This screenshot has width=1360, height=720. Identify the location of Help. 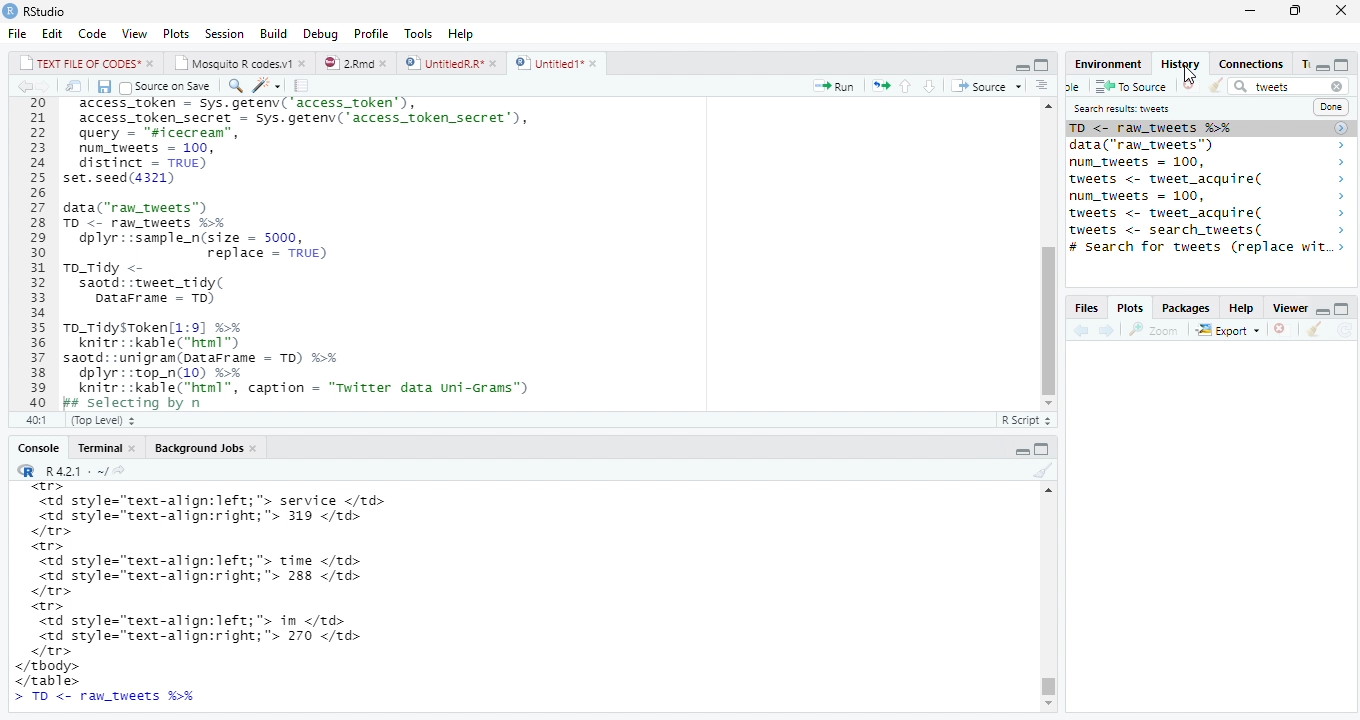
(1239, 309).